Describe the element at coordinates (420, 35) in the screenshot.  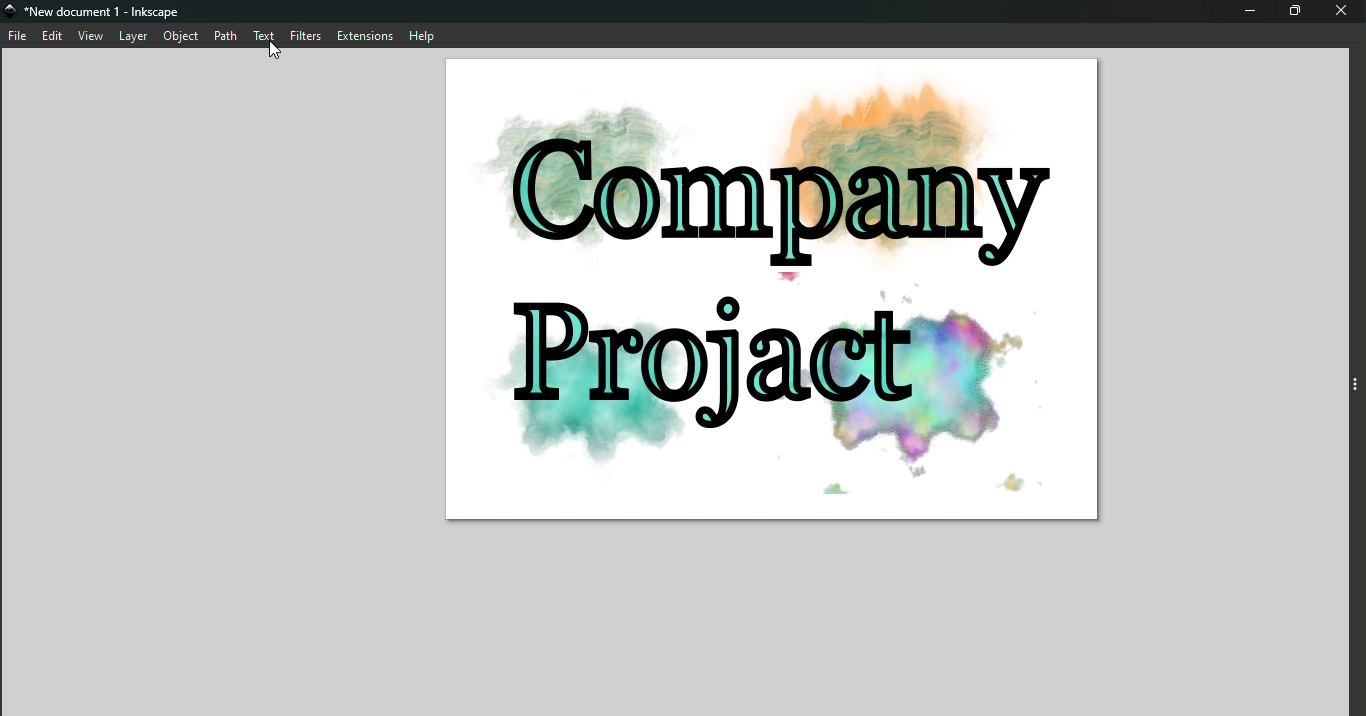
I see `help` at that location.